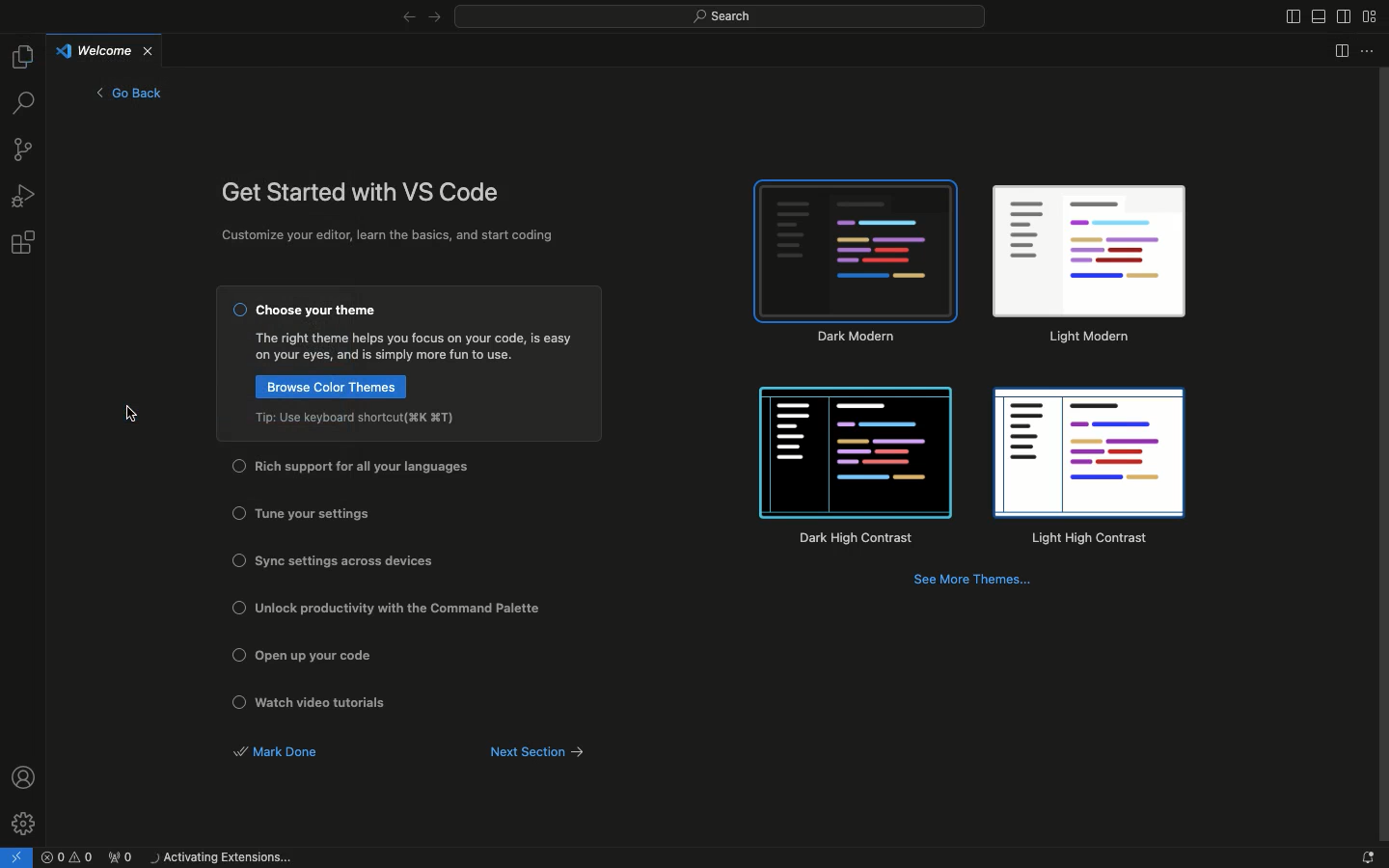 The image size is (1389, 868). I want to click on Sync settings across devices, so click(344, 560).